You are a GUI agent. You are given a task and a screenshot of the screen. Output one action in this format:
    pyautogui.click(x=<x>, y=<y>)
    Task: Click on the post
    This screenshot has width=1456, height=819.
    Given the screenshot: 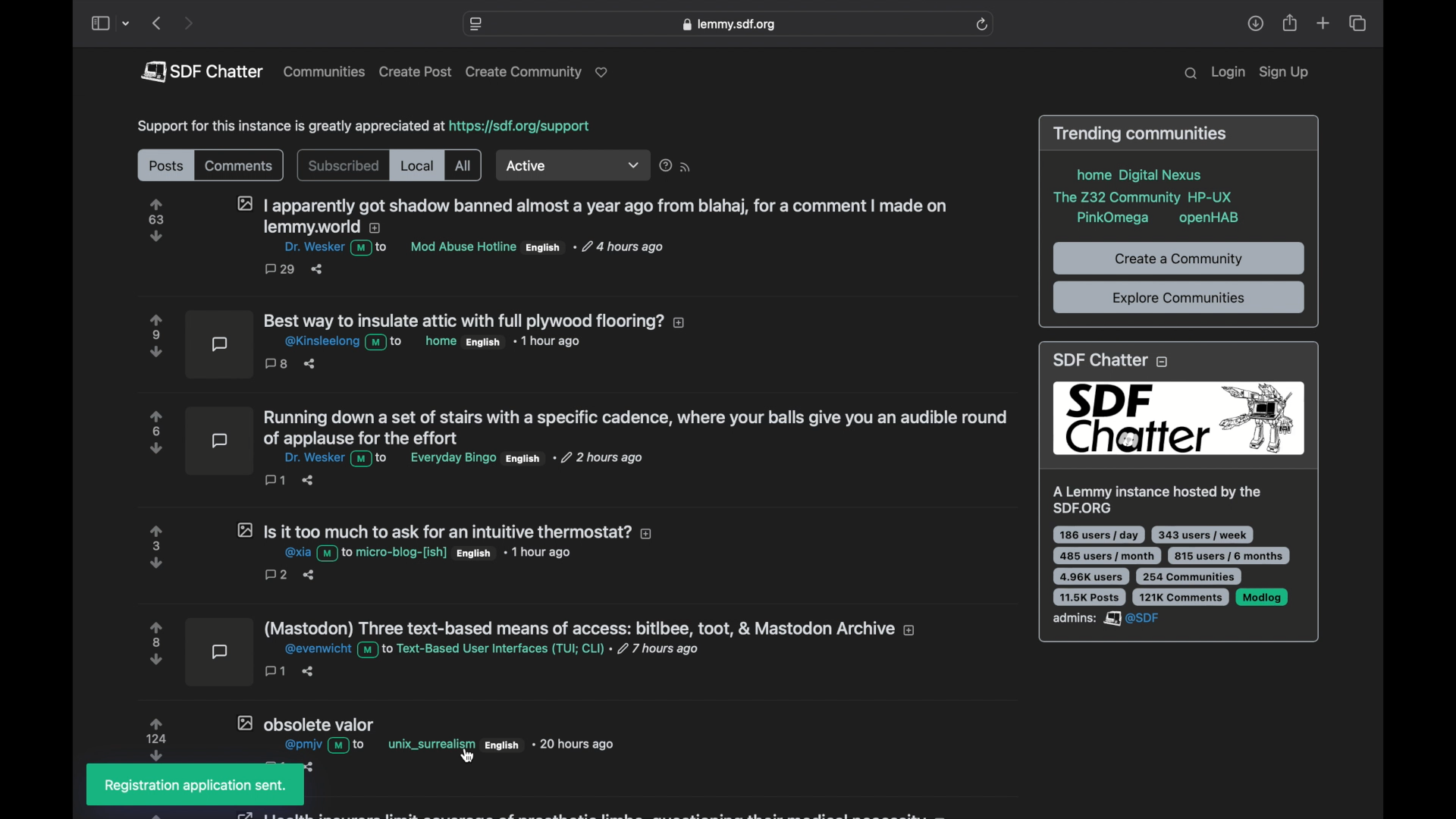 What is the action you would take?
    pyautogui.click(x=551, y=234)
    